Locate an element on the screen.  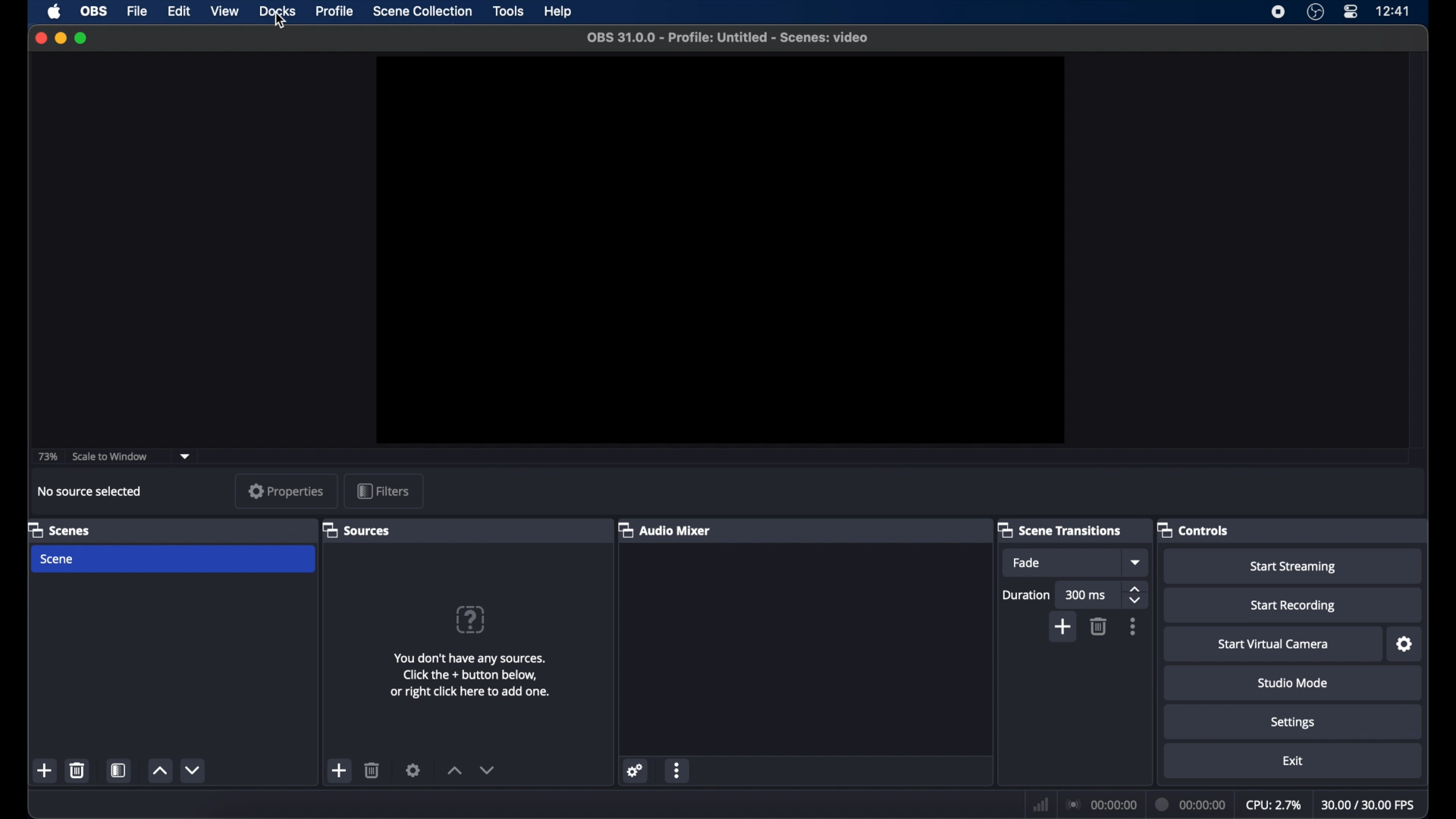
You don't have any sources.
Click the + button below,
or right click here to add one. is located at coordinates (472, 678).